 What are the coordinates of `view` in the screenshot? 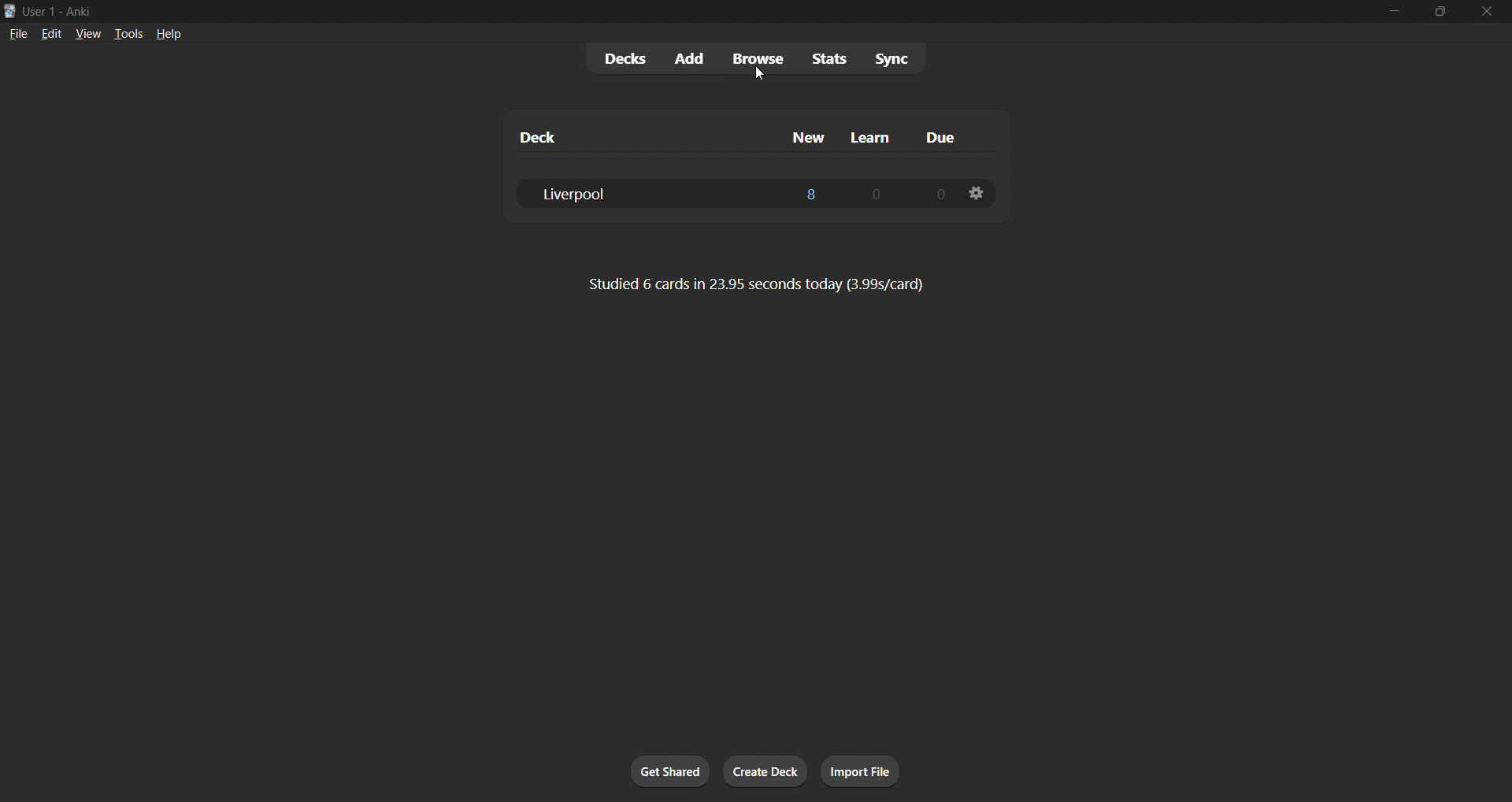 It's located at (87, 32).